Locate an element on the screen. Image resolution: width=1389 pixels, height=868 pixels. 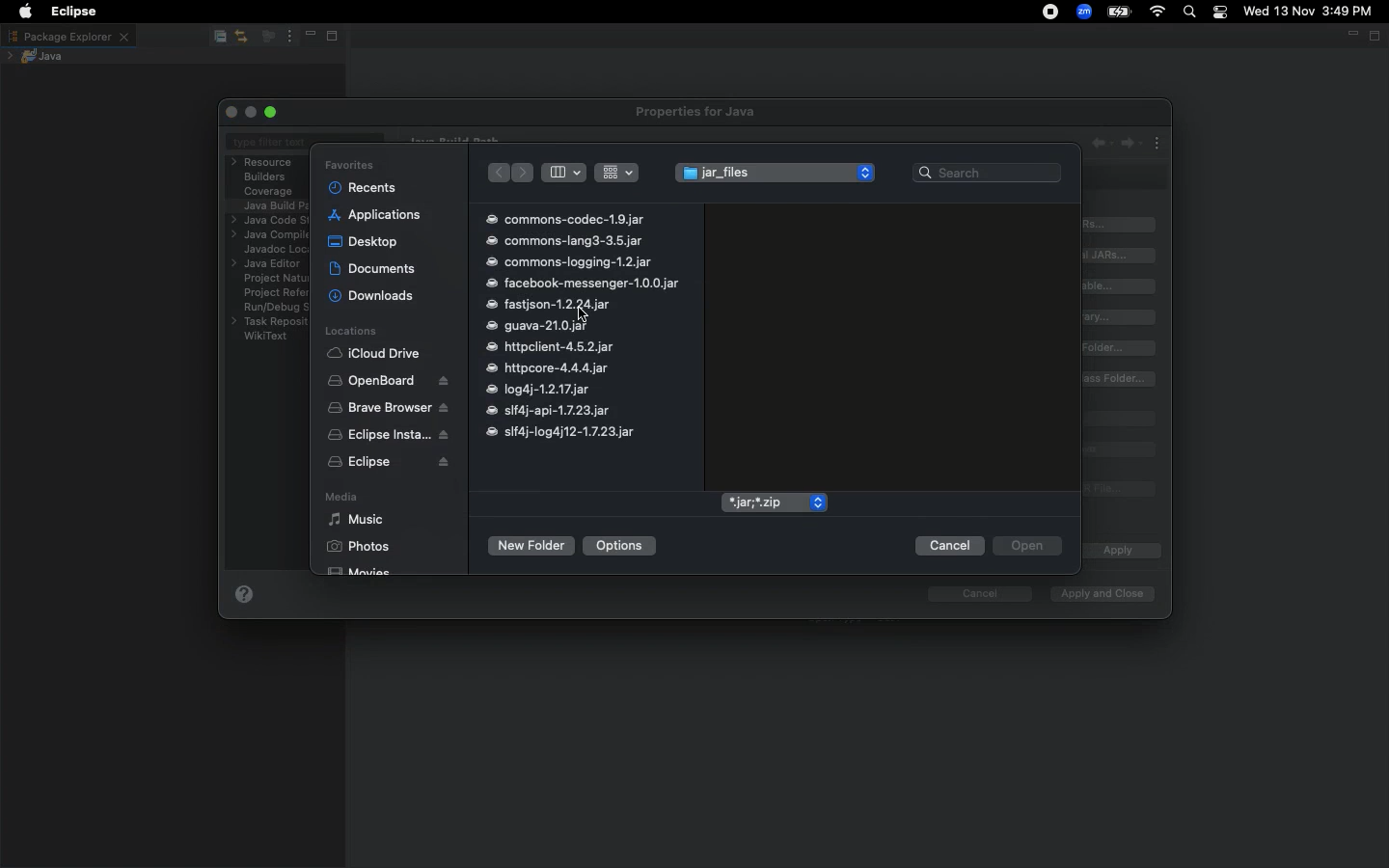
WikiText is located at coordinates (266, 336).